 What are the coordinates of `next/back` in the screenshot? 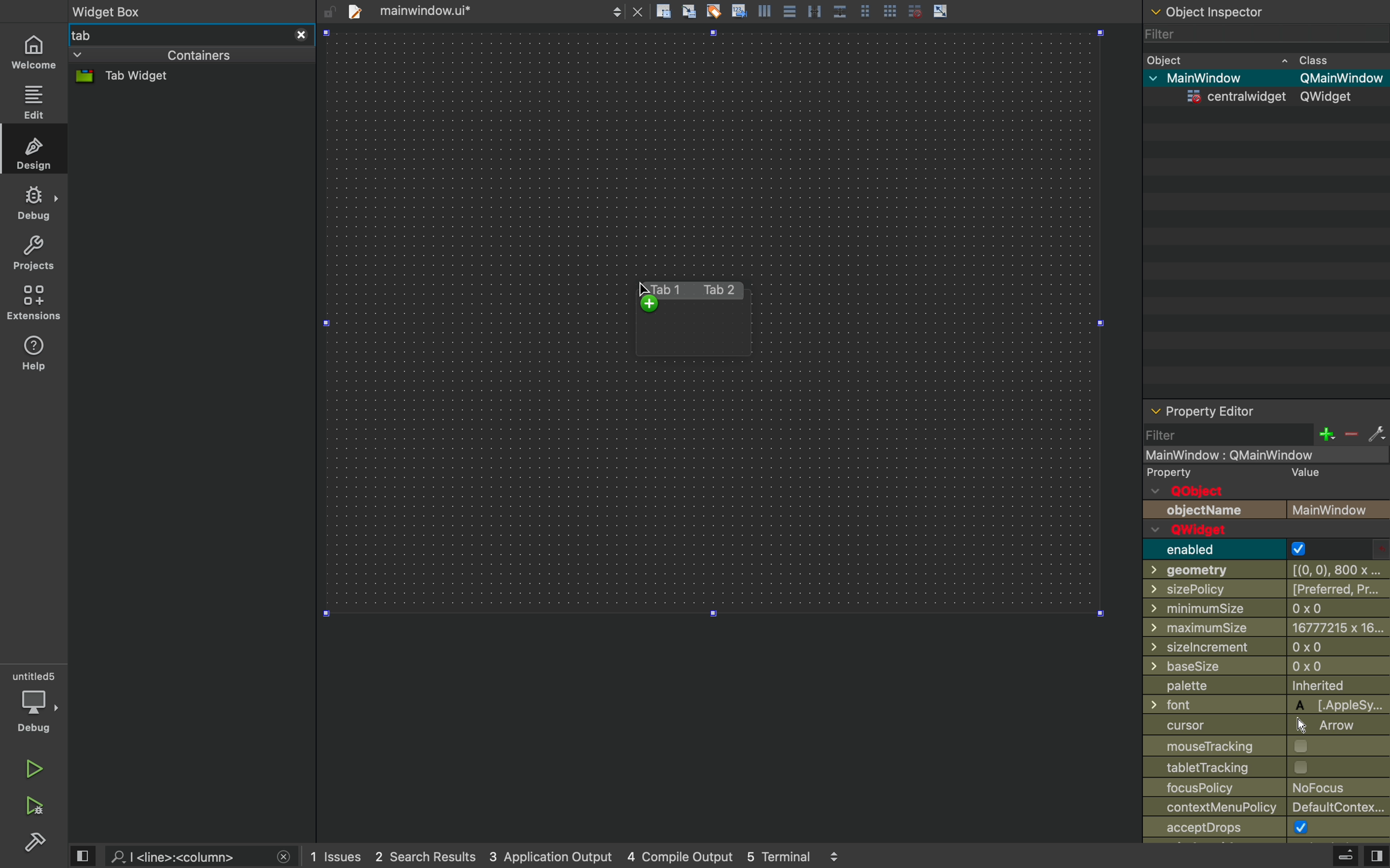 It's located at (616, 11).